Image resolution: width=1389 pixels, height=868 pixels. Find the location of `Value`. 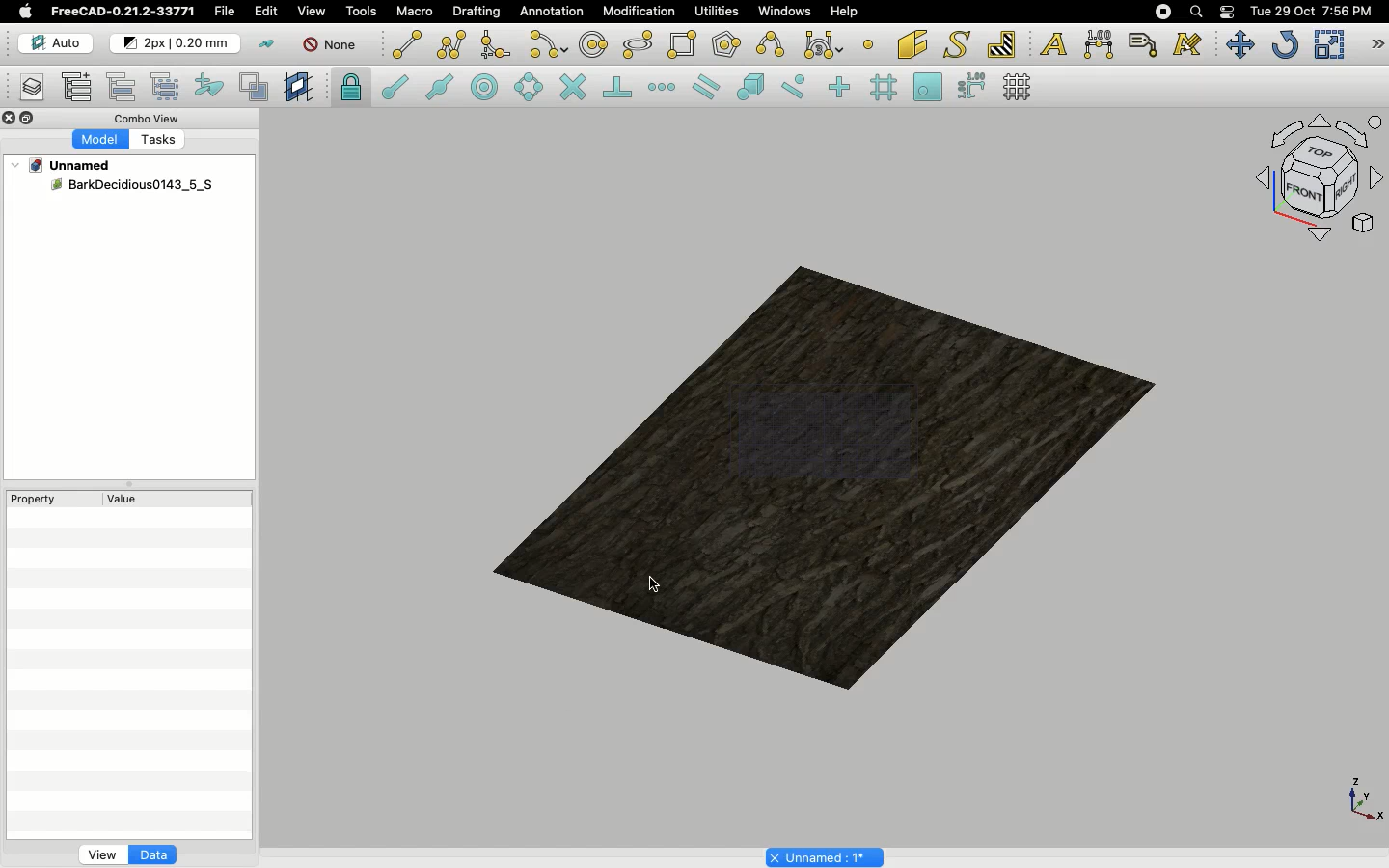

Value is located at coordinates (123, 502).